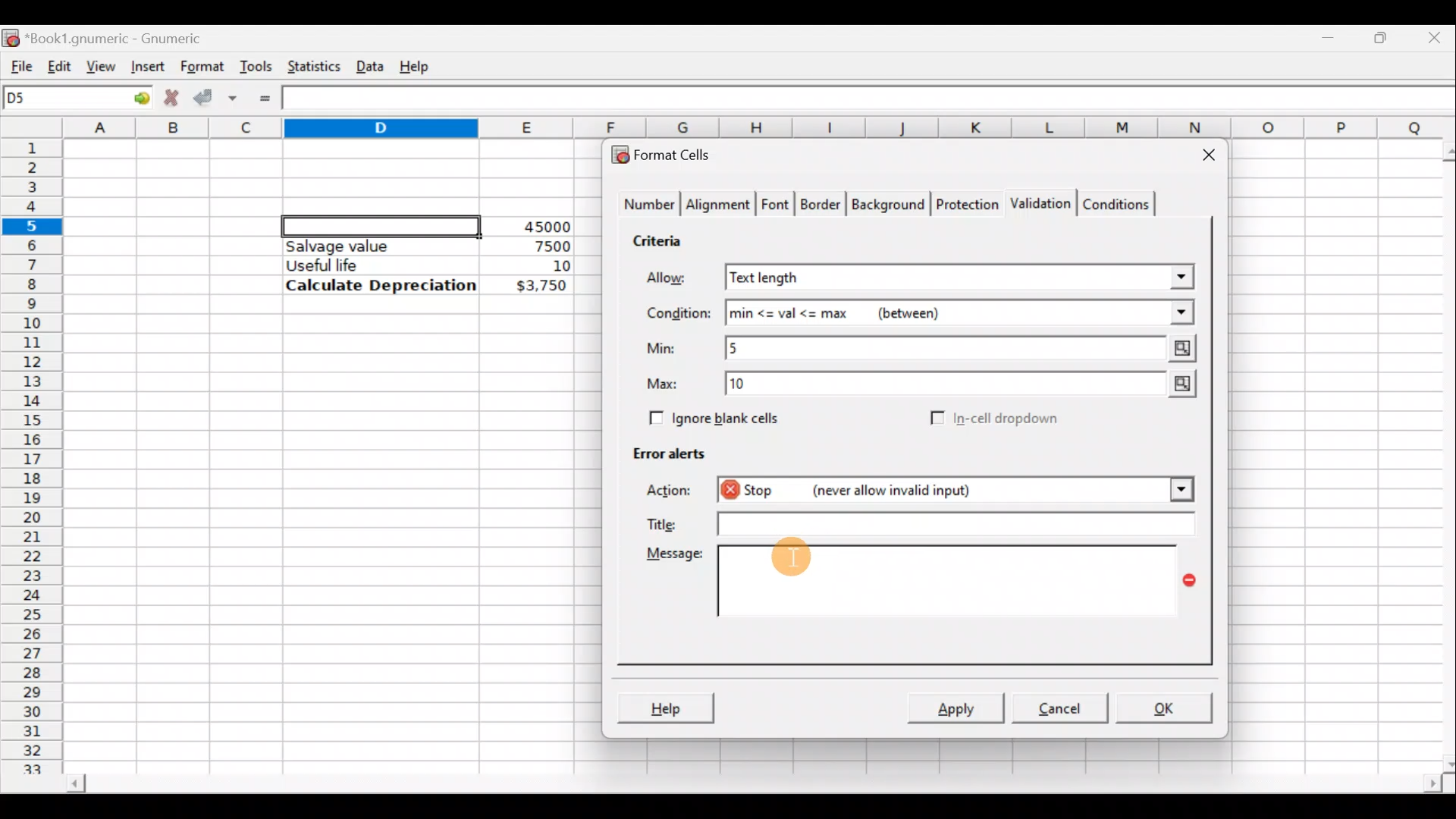 Image resolution: width=1456 pixels, height=819 pixels. Describe the element at coordinates (372, 265) in the screenshot. I see `Useful life` at that location.